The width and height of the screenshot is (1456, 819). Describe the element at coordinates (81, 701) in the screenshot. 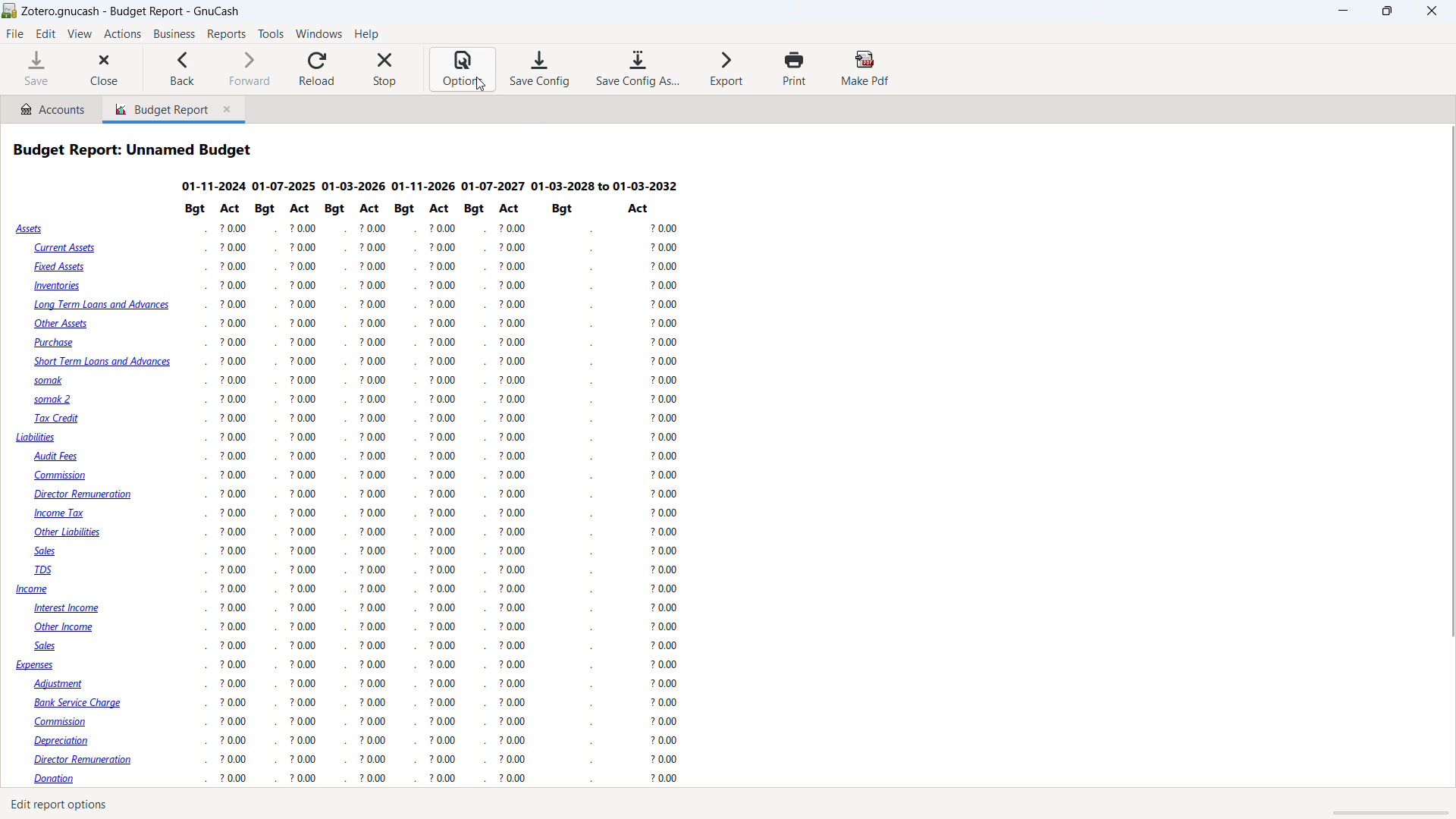

I see `‘Bank Service Charge` at that location.